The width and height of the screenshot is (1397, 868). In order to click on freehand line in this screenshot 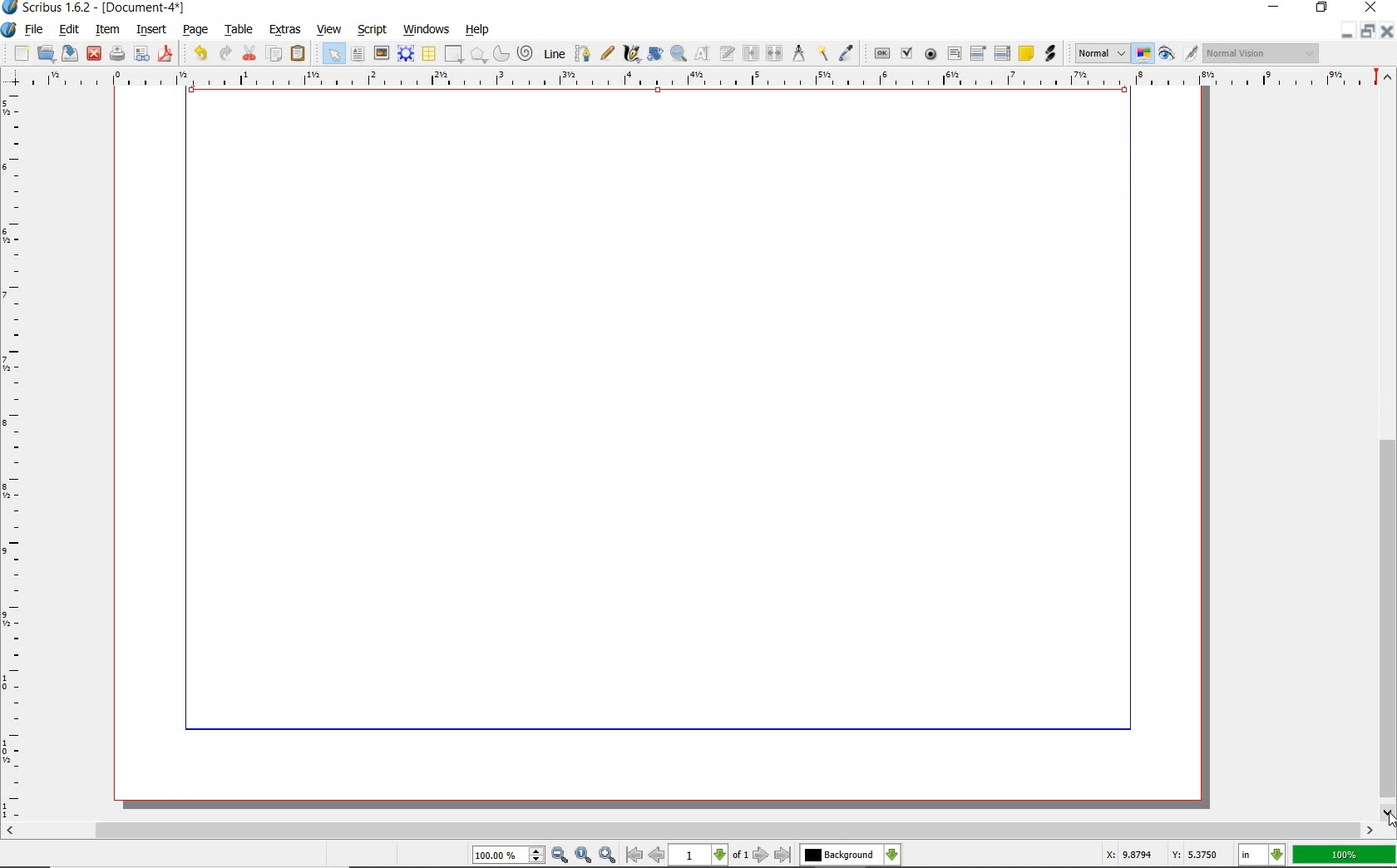, I will do `click(609, 54)`.